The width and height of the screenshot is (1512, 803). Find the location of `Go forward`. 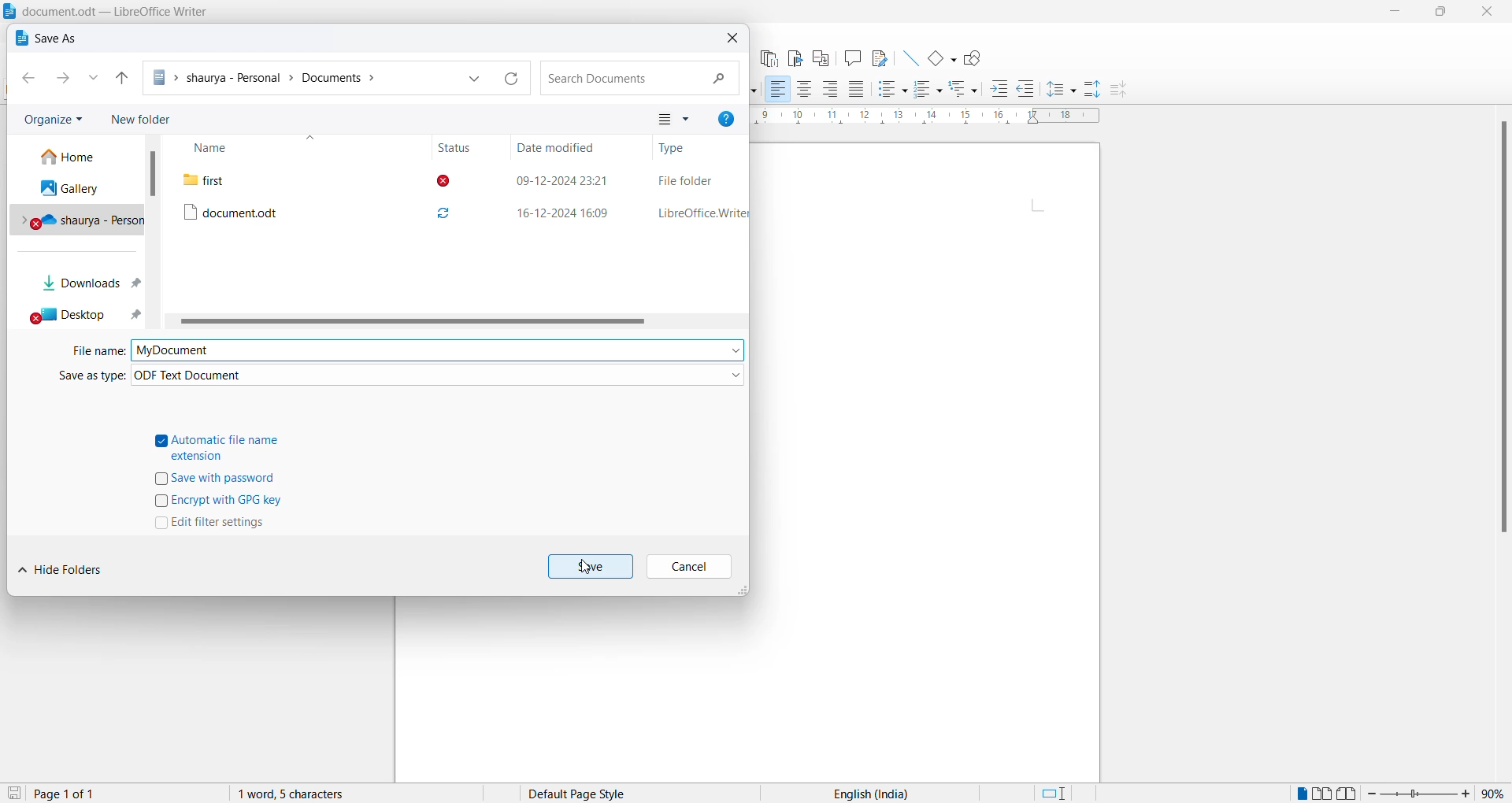

Go forward is located at coordinates (69, 79).